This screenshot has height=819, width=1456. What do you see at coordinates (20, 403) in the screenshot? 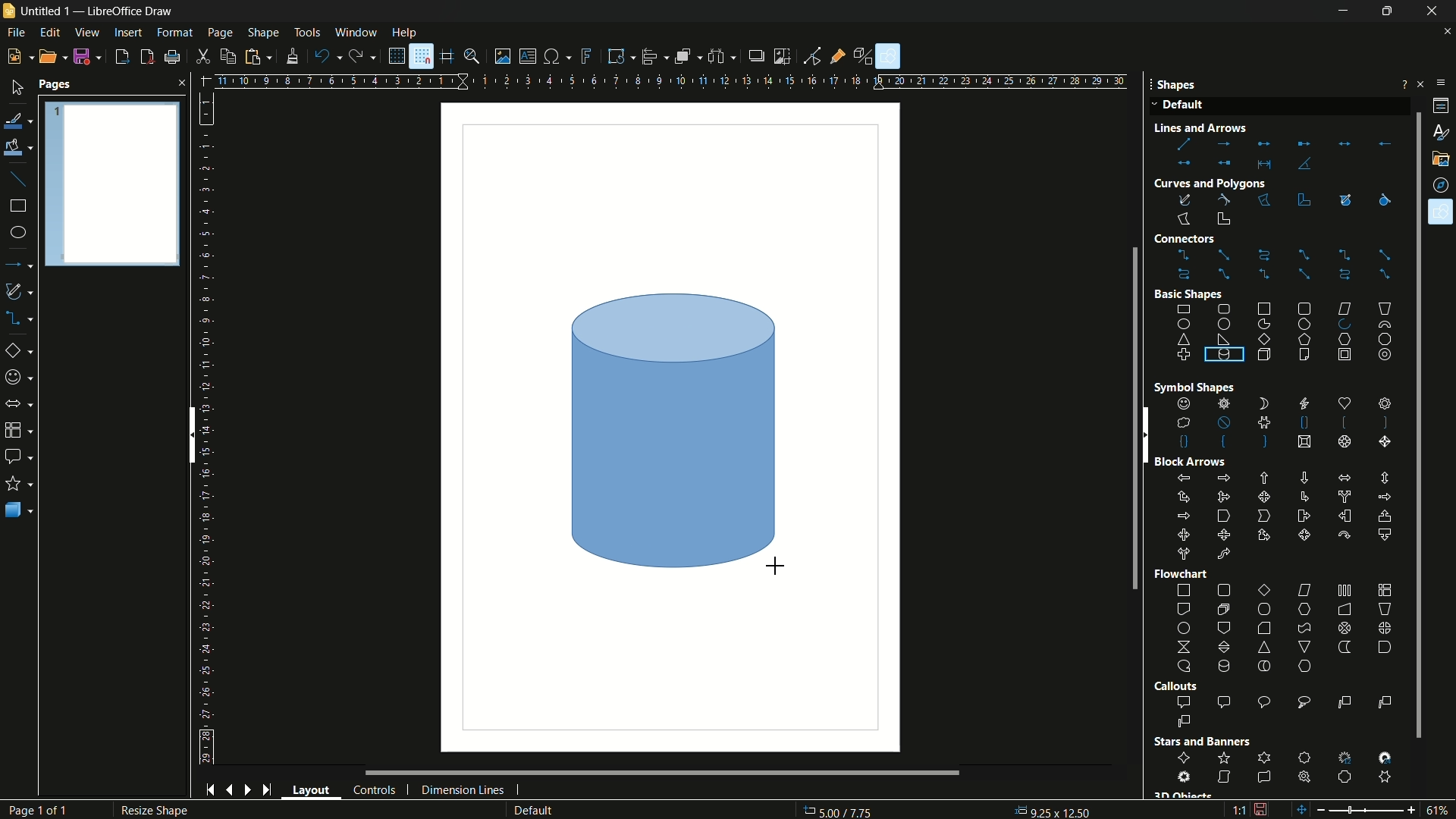
I see `block arrows` at bounding box center [20, 403].